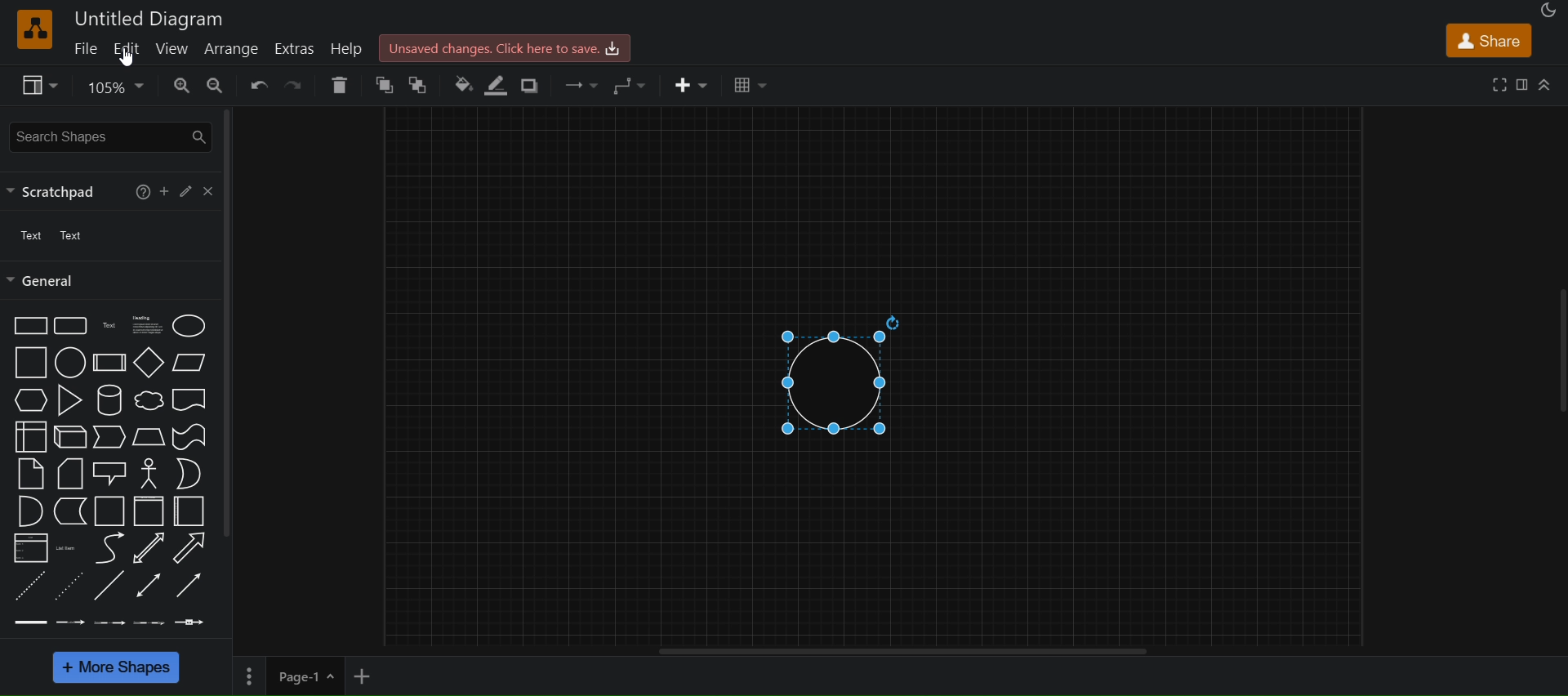 The height and width of the screenshot is (696, 1568). Describe the element at coordinates (902, 651) in the screenshot. I see `horizontal scroll bar` at that location.